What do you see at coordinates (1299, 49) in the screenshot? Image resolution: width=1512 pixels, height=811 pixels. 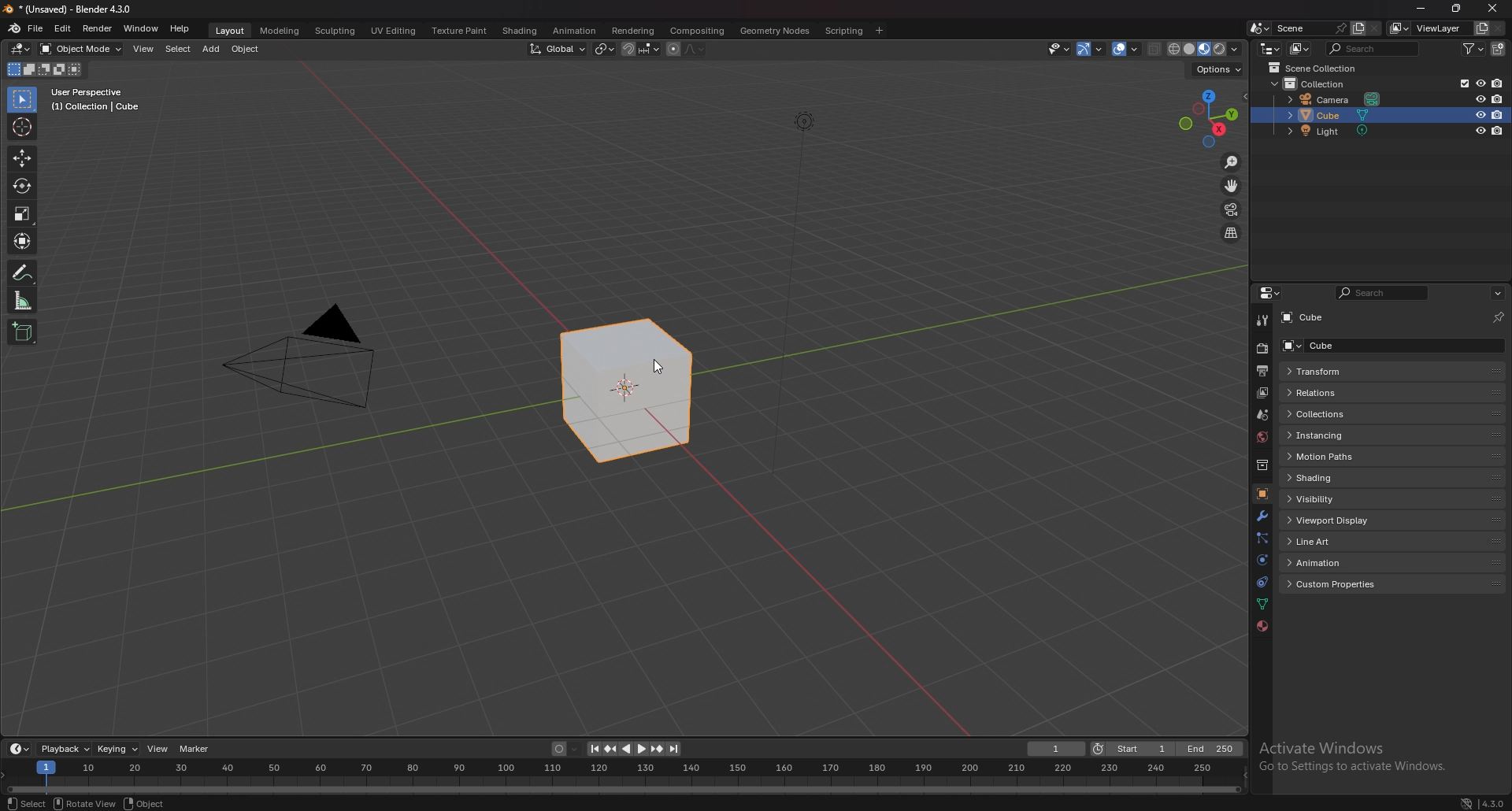 I see `display mode` at bounding box center [1299, 49].